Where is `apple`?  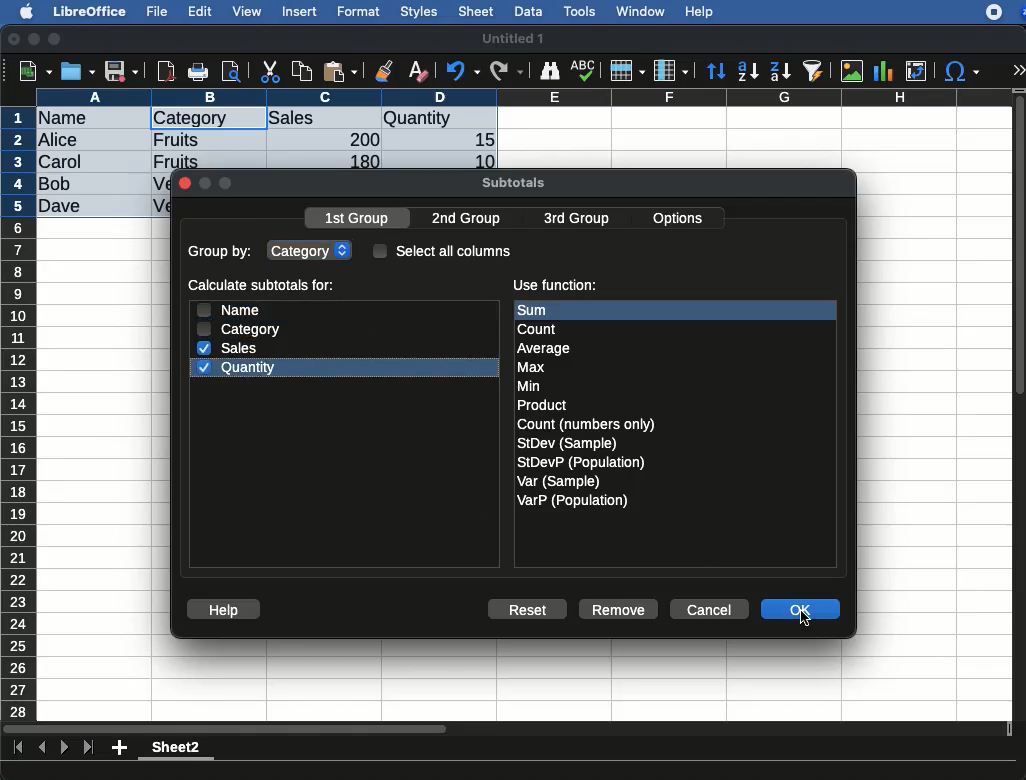
apple is located at coordinates (21, 10).